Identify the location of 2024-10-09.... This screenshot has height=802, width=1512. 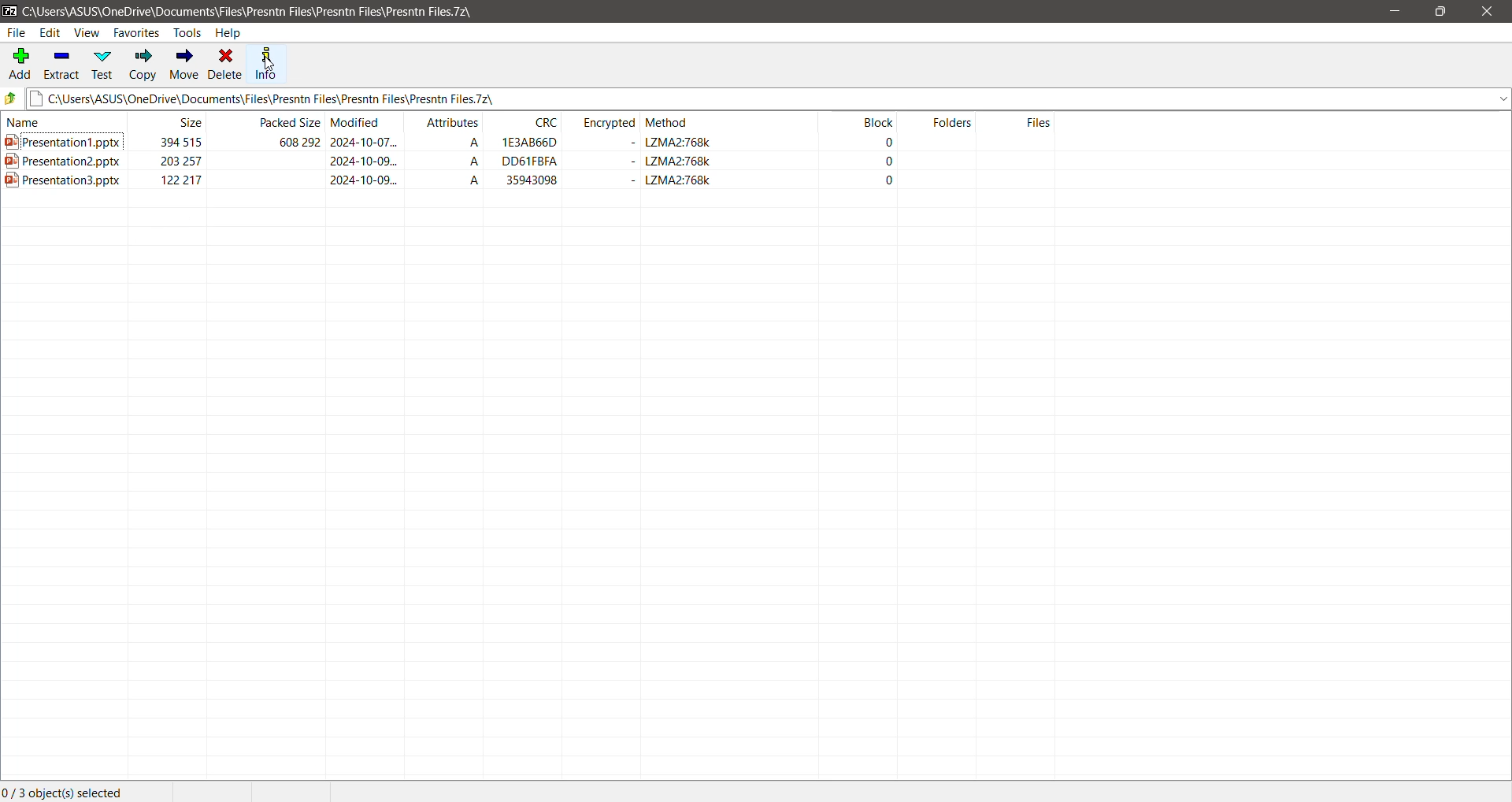
(365, 162).